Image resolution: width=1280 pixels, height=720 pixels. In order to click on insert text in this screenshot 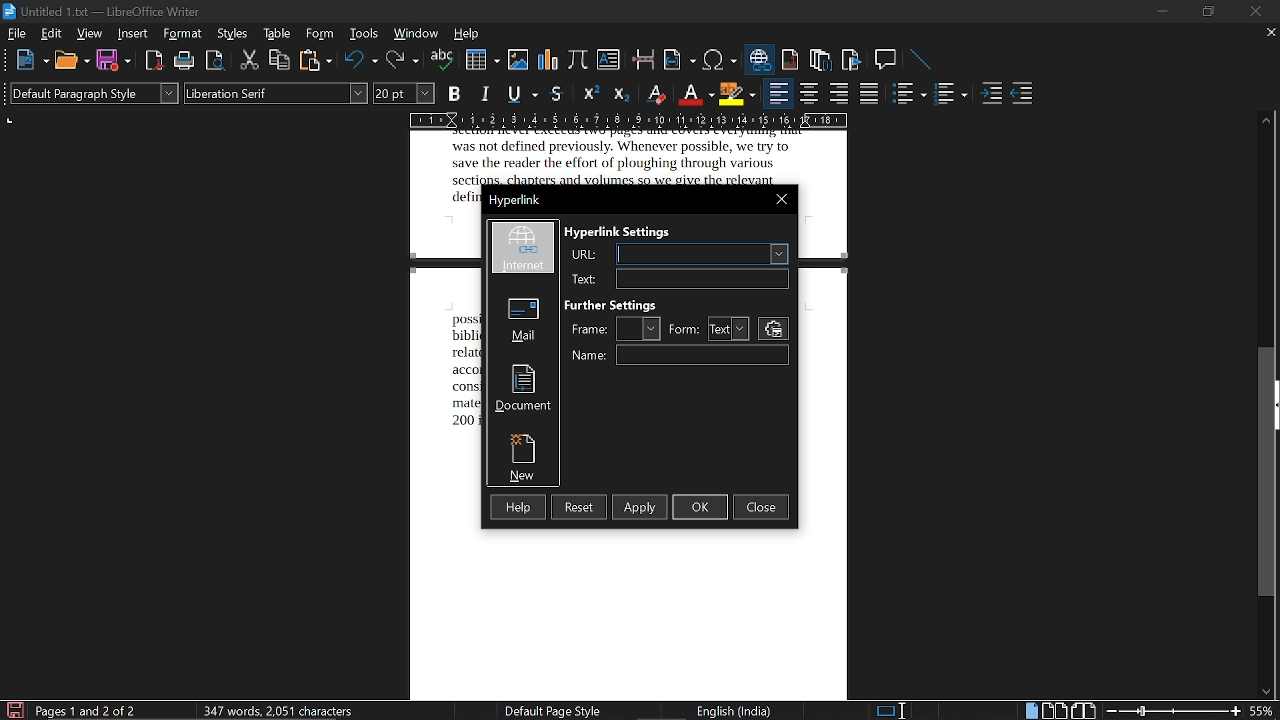, I will do `click(608, 62)`.